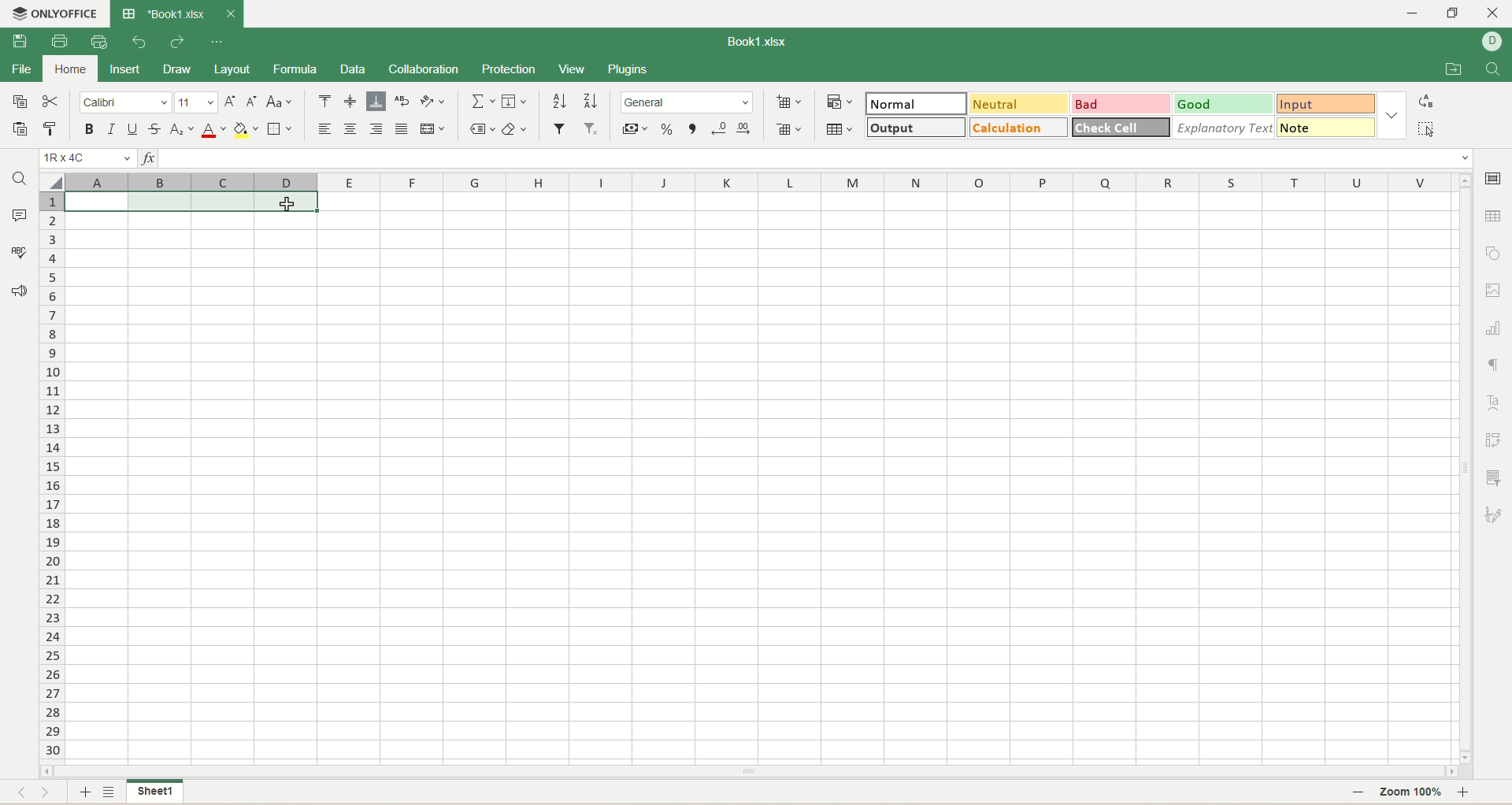  What do you see at coordinates (819, 159) in the screenshot?
I see `input line` at bounding box center [819, 159].